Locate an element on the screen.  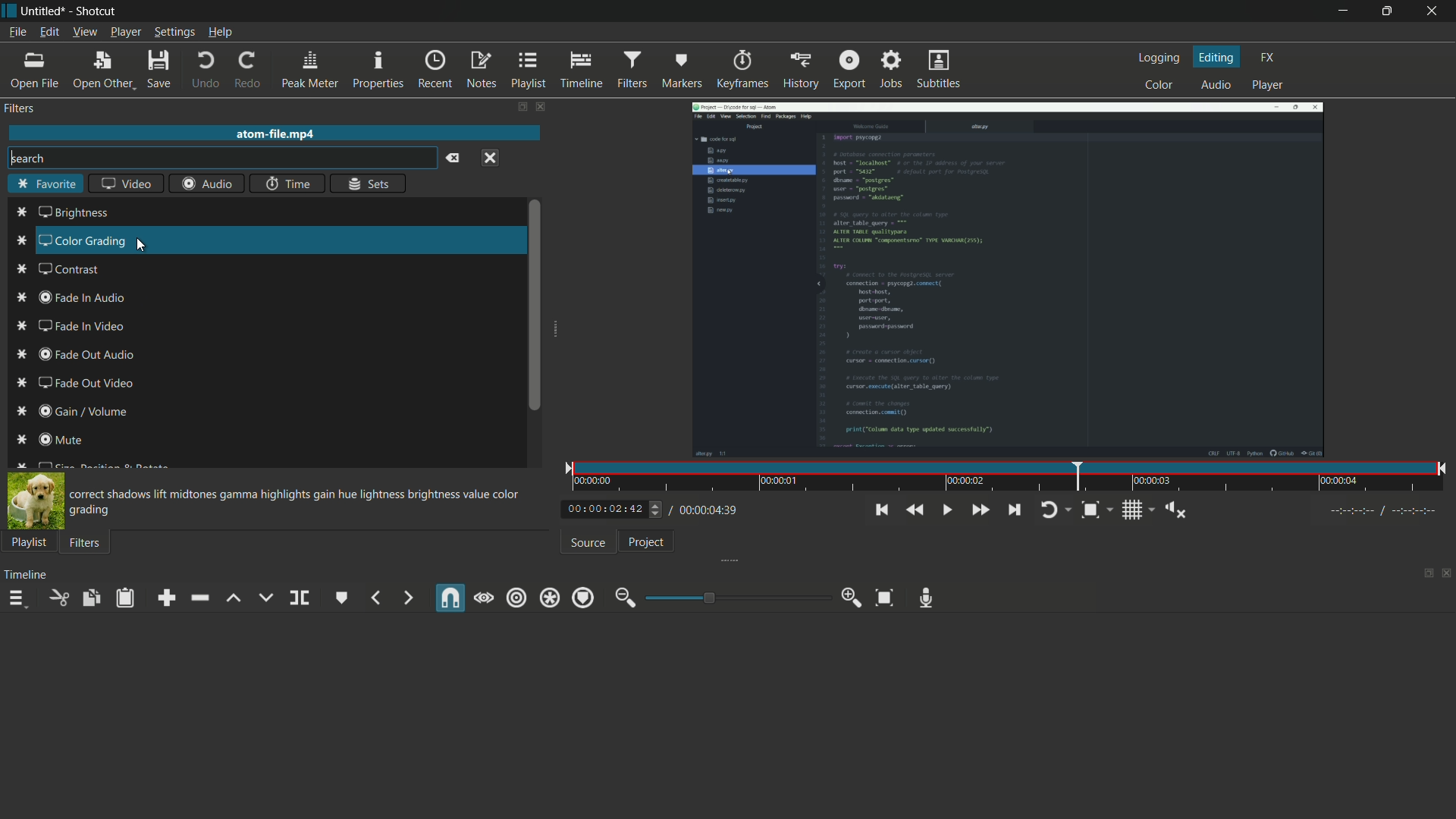
filters is located at coordinates (19, 108).